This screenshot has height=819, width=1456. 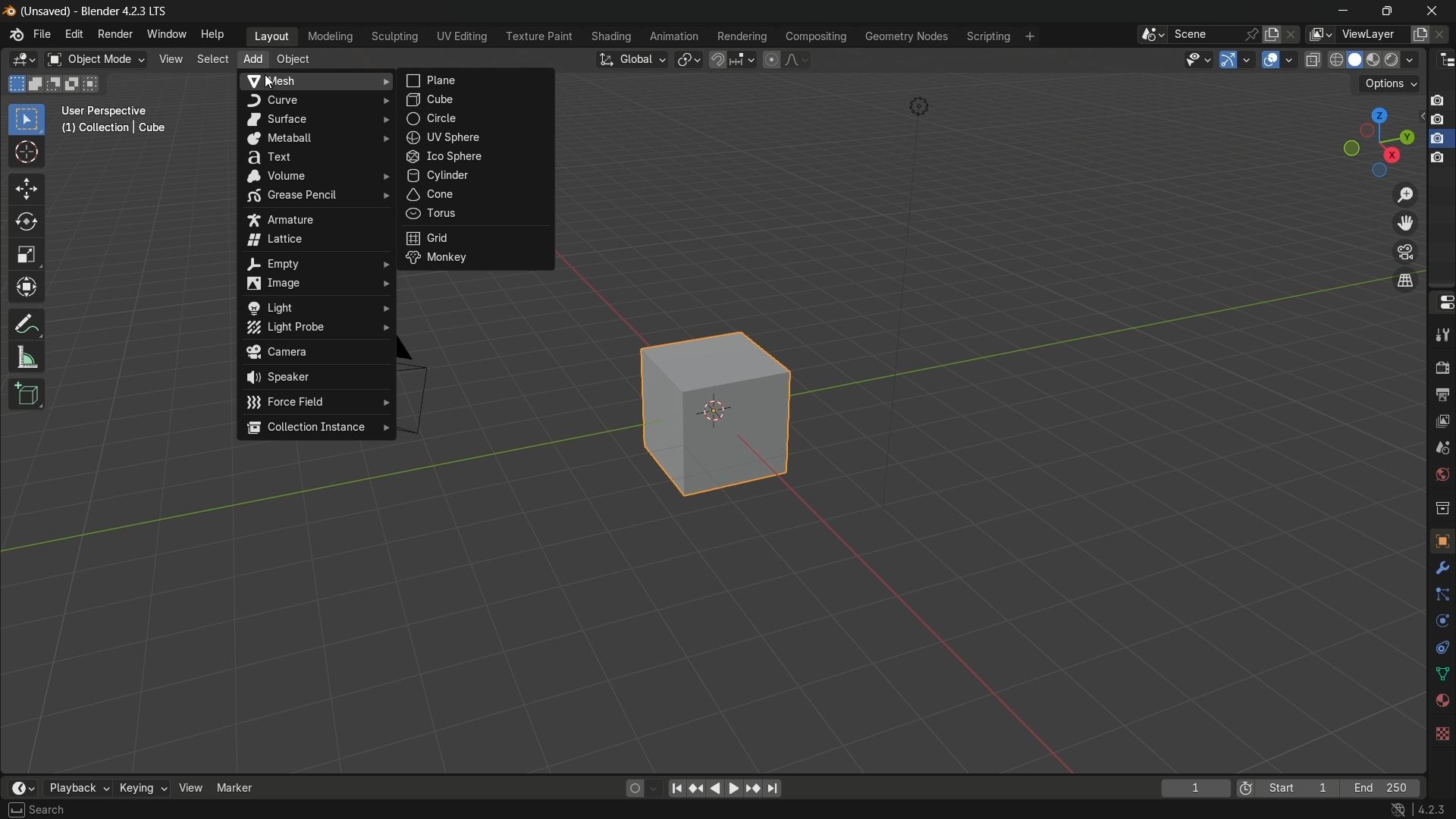 What do you see at coordinates (918, 107) in the screenshot?
I see `light` at bounding box center [918, 107].